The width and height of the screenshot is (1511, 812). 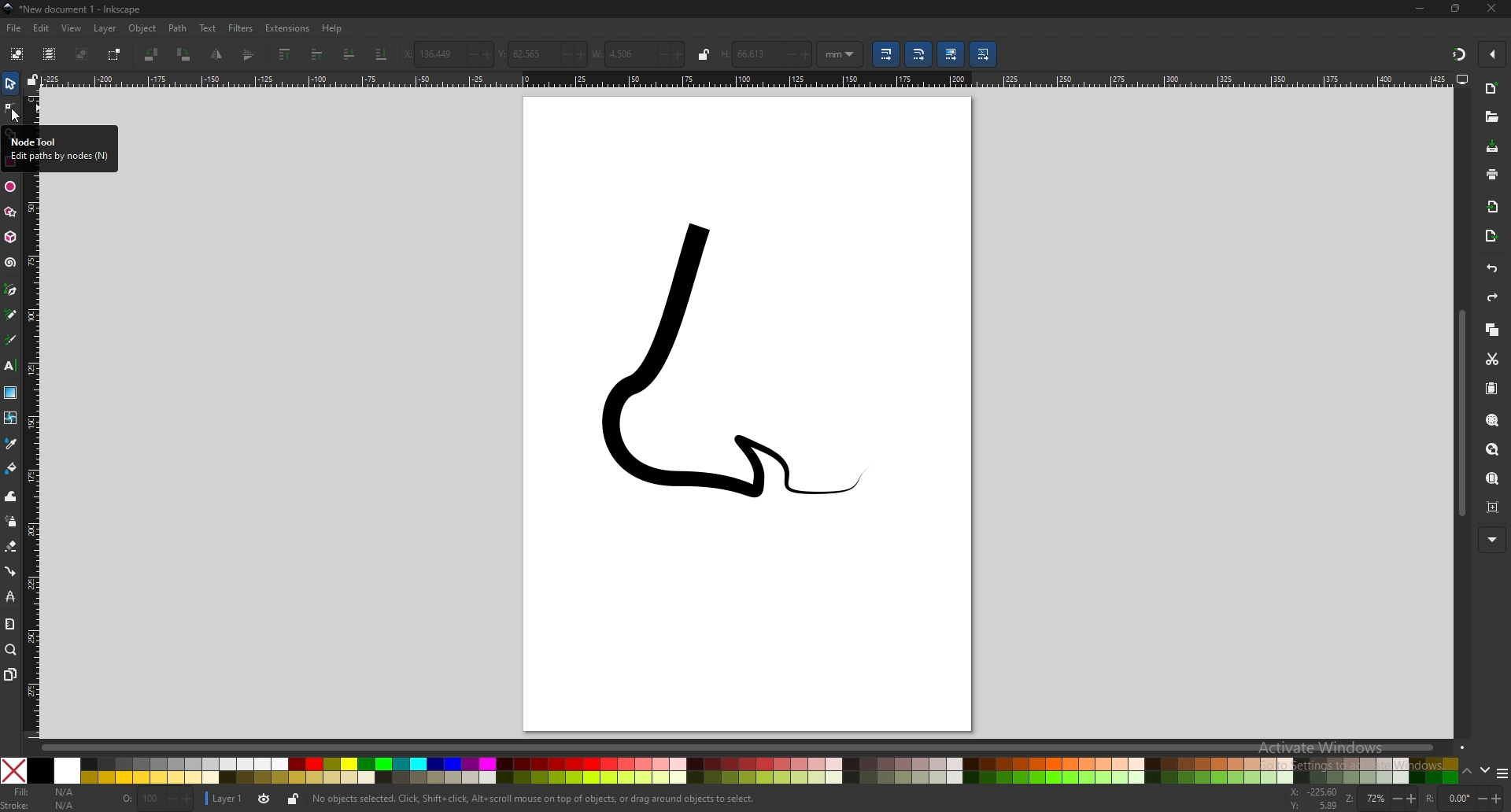 I want to click on pages, so click(x=11, y=674).